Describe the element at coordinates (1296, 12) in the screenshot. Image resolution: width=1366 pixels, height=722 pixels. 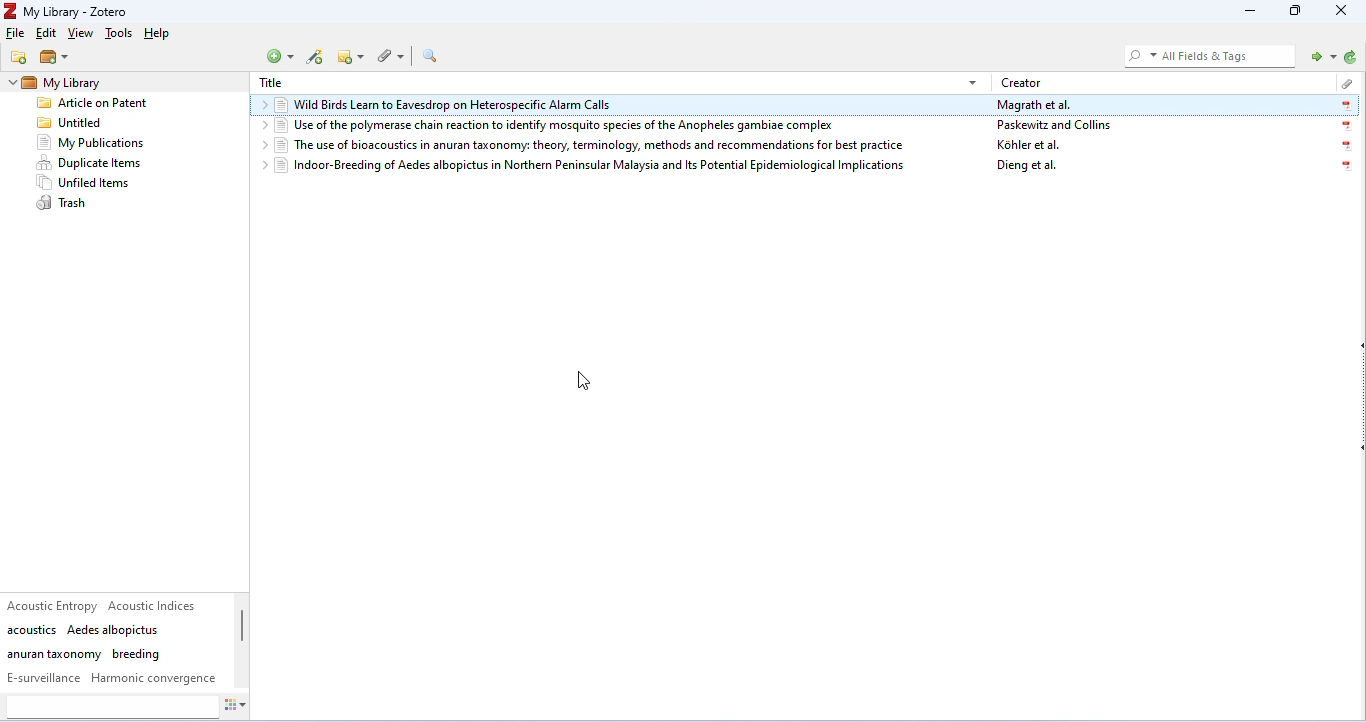
I see `maximize` at that location.